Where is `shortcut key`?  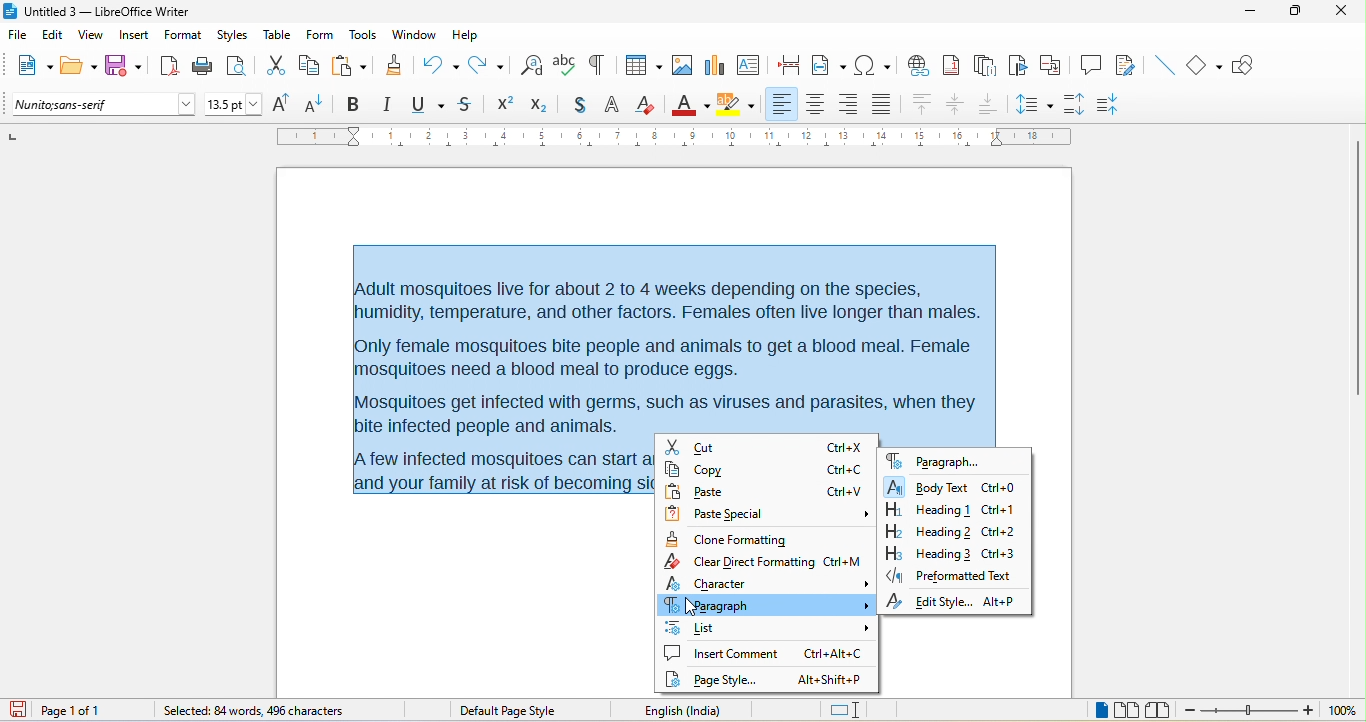
shortcut key is located at coordinates (1002, 552).